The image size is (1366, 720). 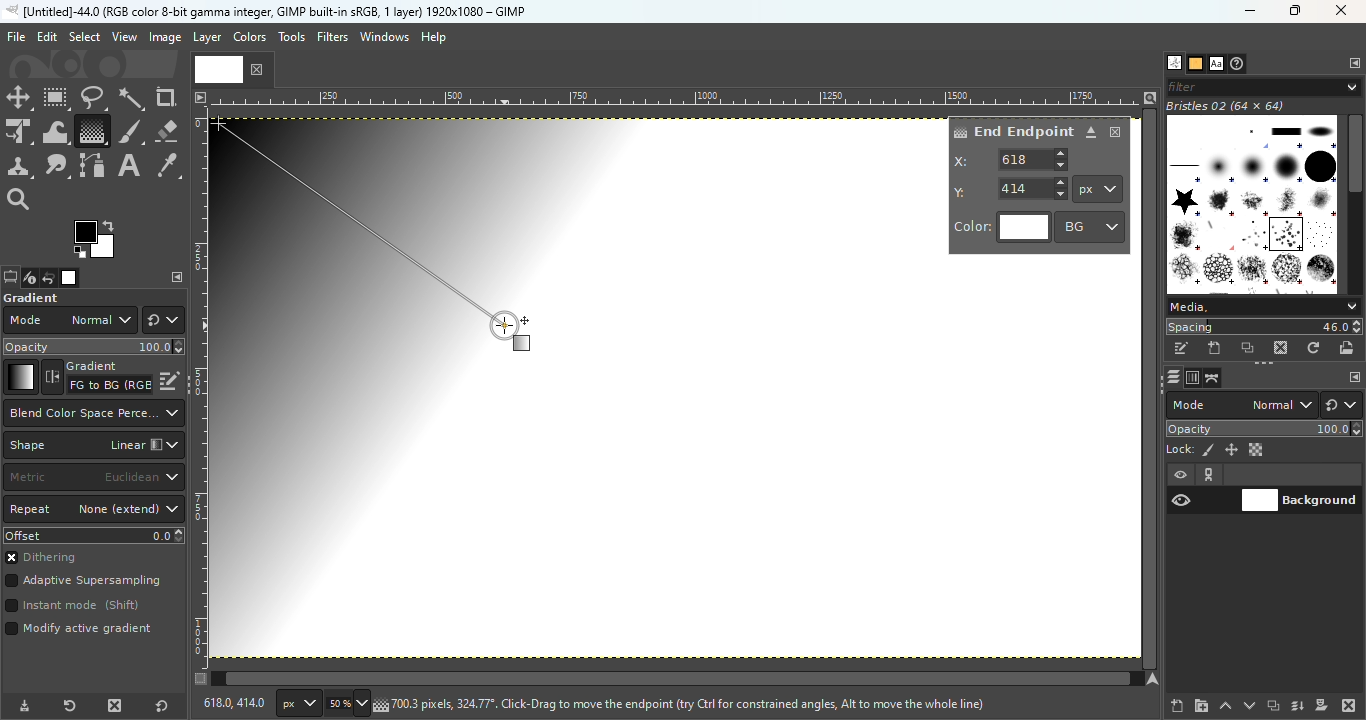 I want to click on Reset to default values, so click(x=166, y=705).